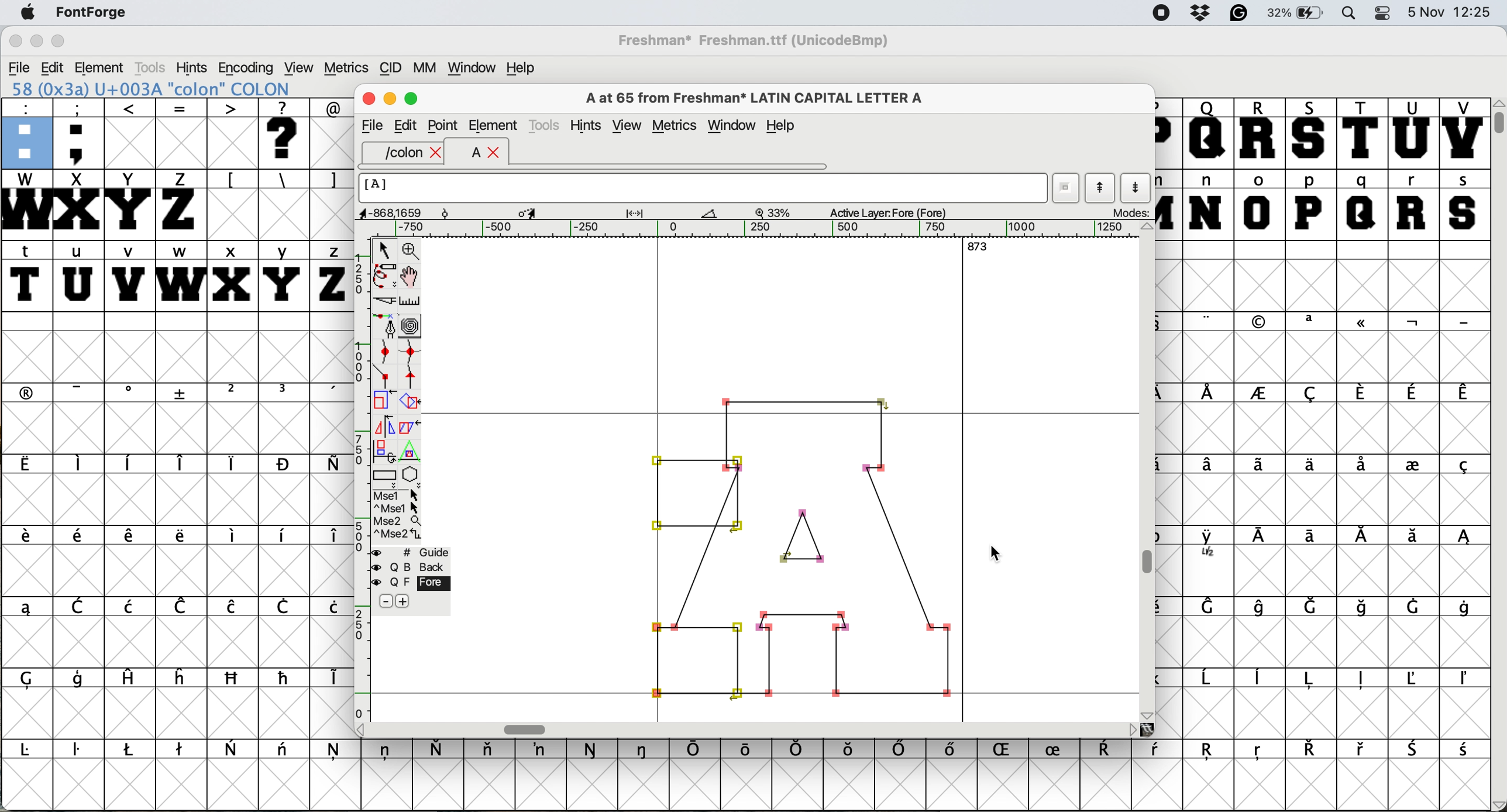 The height and width of the screenshot is (812, 1507). What do you see at coordinates (495, 154) in the screenshot?
I see `close` at bounding box center [495, 154].